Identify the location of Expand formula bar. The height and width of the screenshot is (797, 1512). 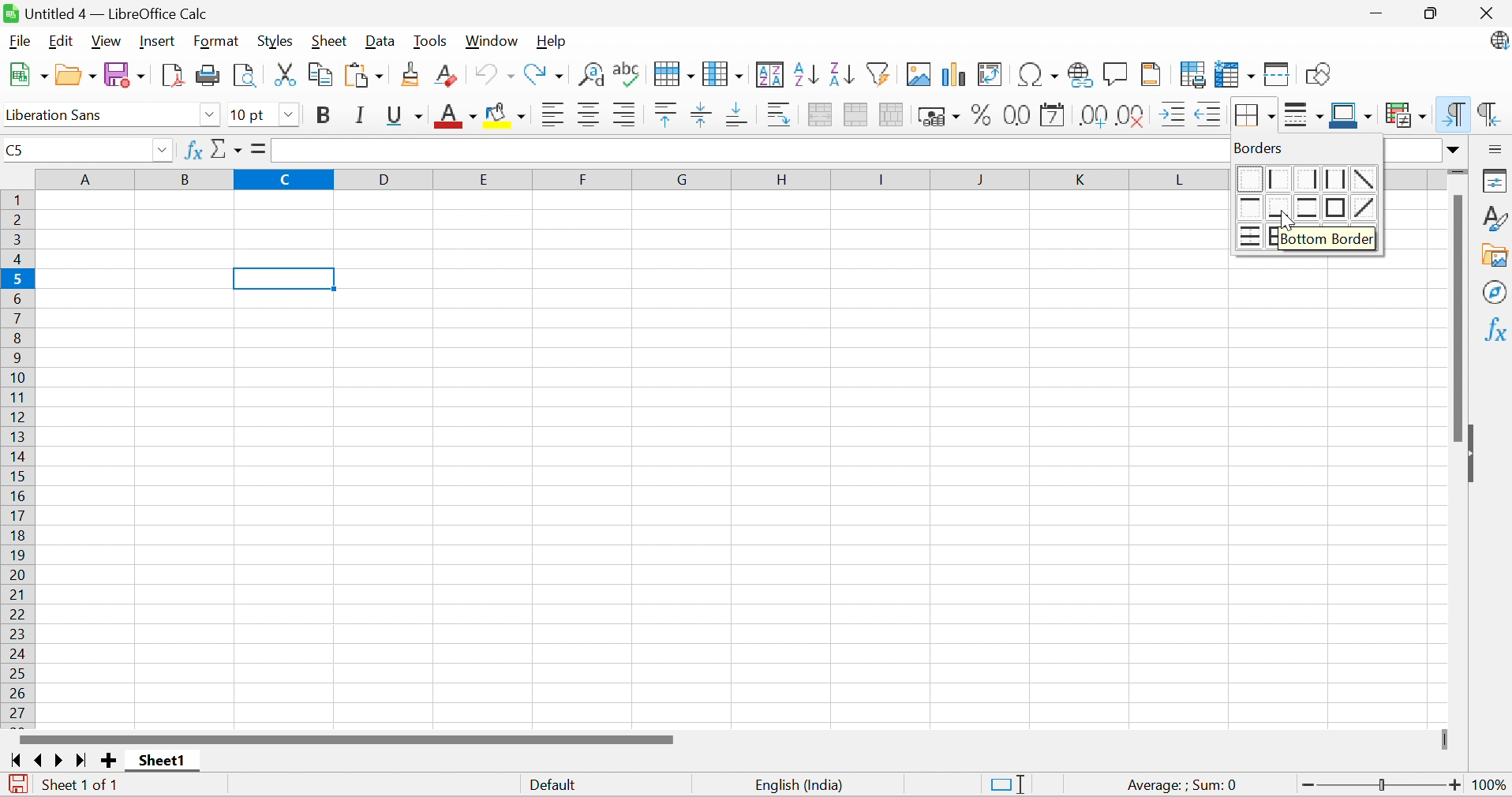
(1454, 150).